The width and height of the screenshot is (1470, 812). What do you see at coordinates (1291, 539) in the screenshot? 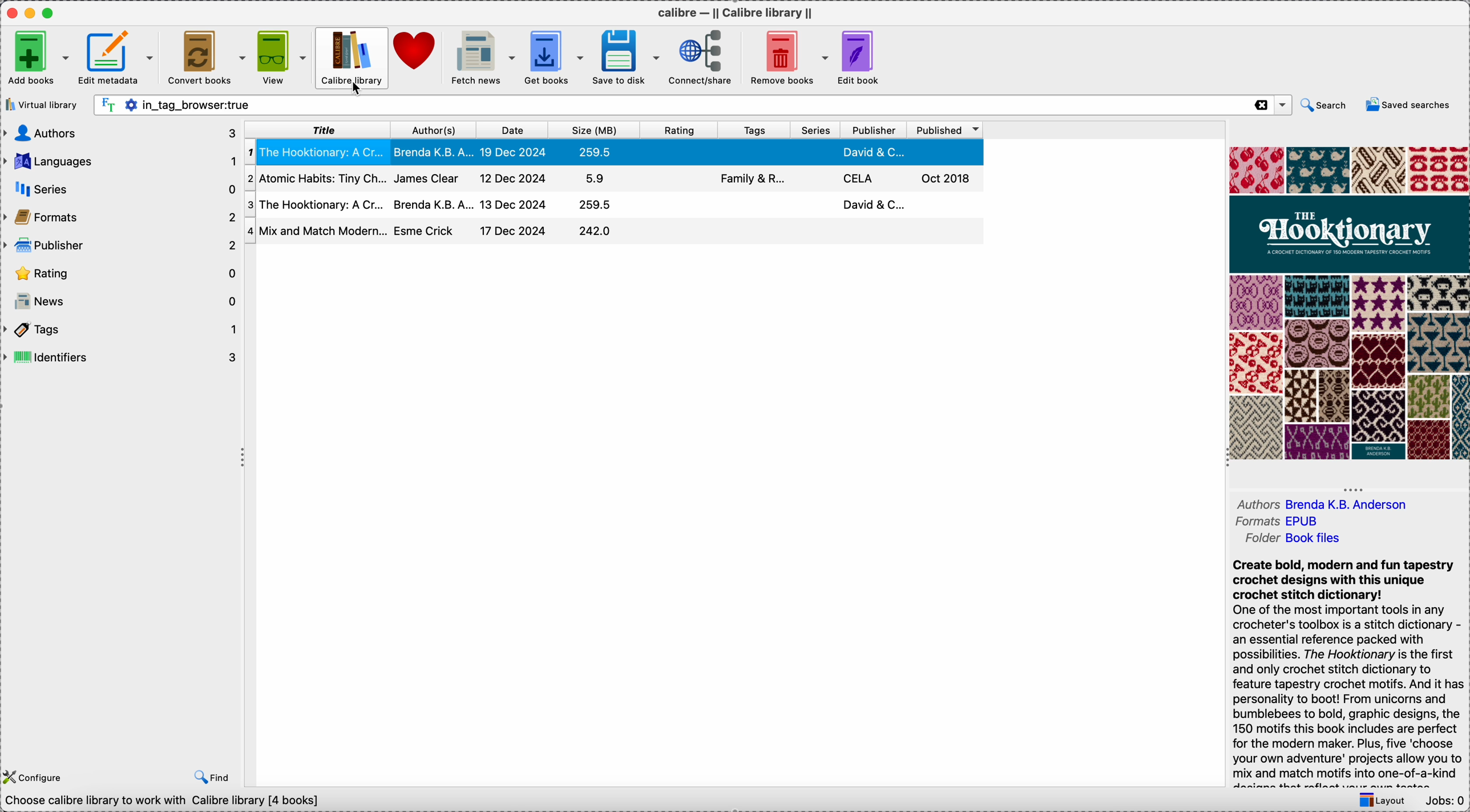
I see `folder` at bounding box center [1291, 539].